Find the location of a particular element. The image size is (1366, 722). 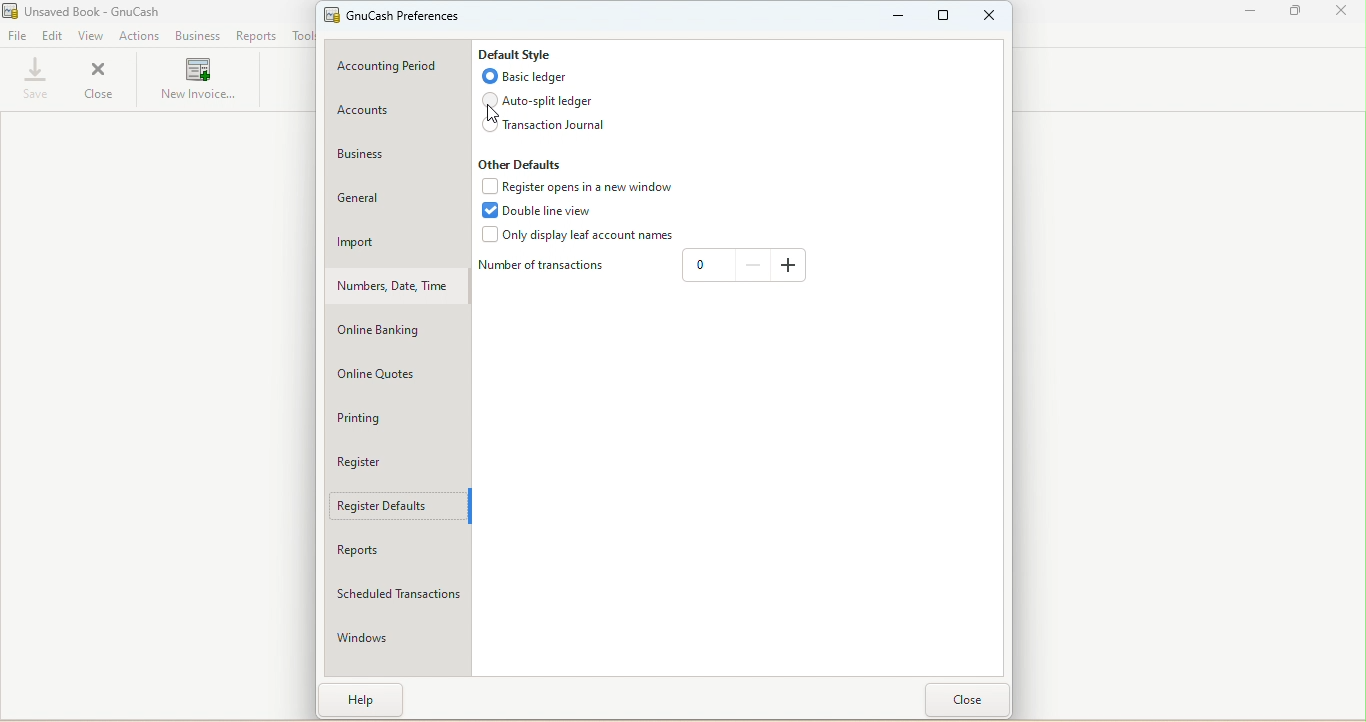

Business is located at coordinates (198, 38).